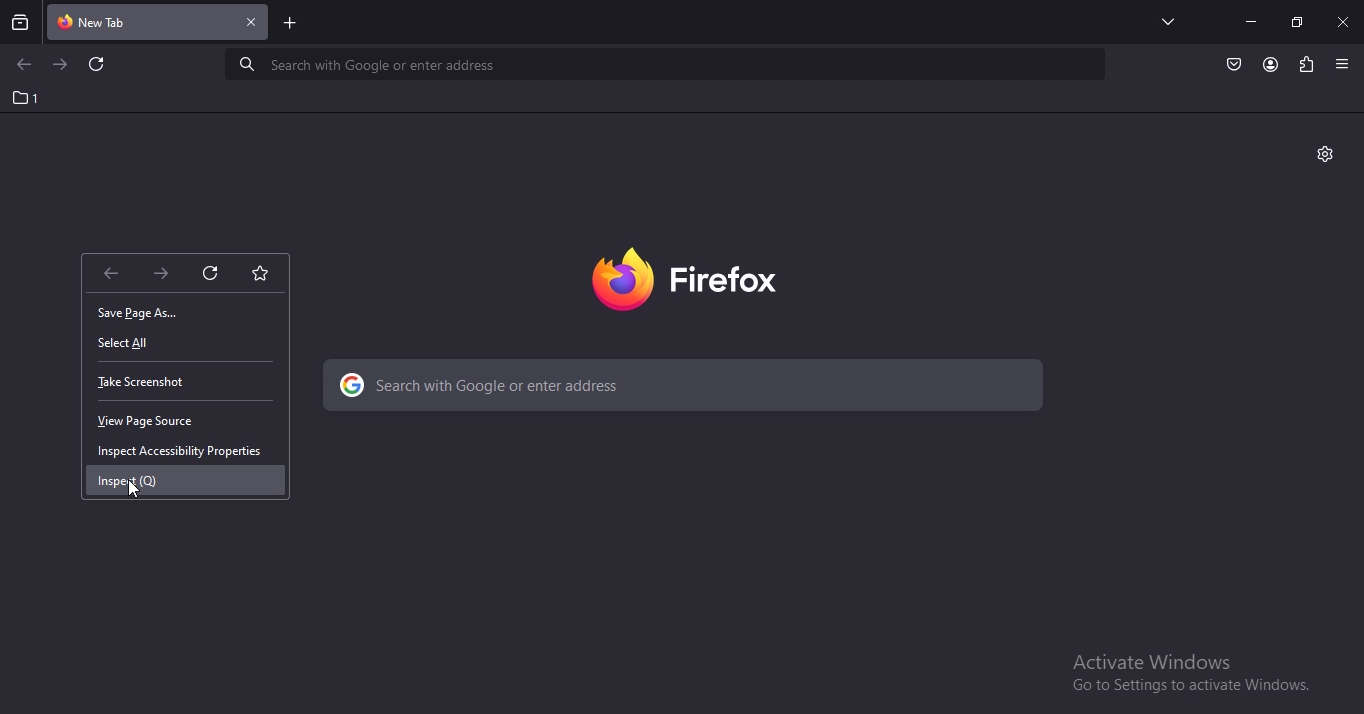  What do you see at coordinates (290, 22) in the screenshot?
I see `new tab` at bounding box center [290, 22].